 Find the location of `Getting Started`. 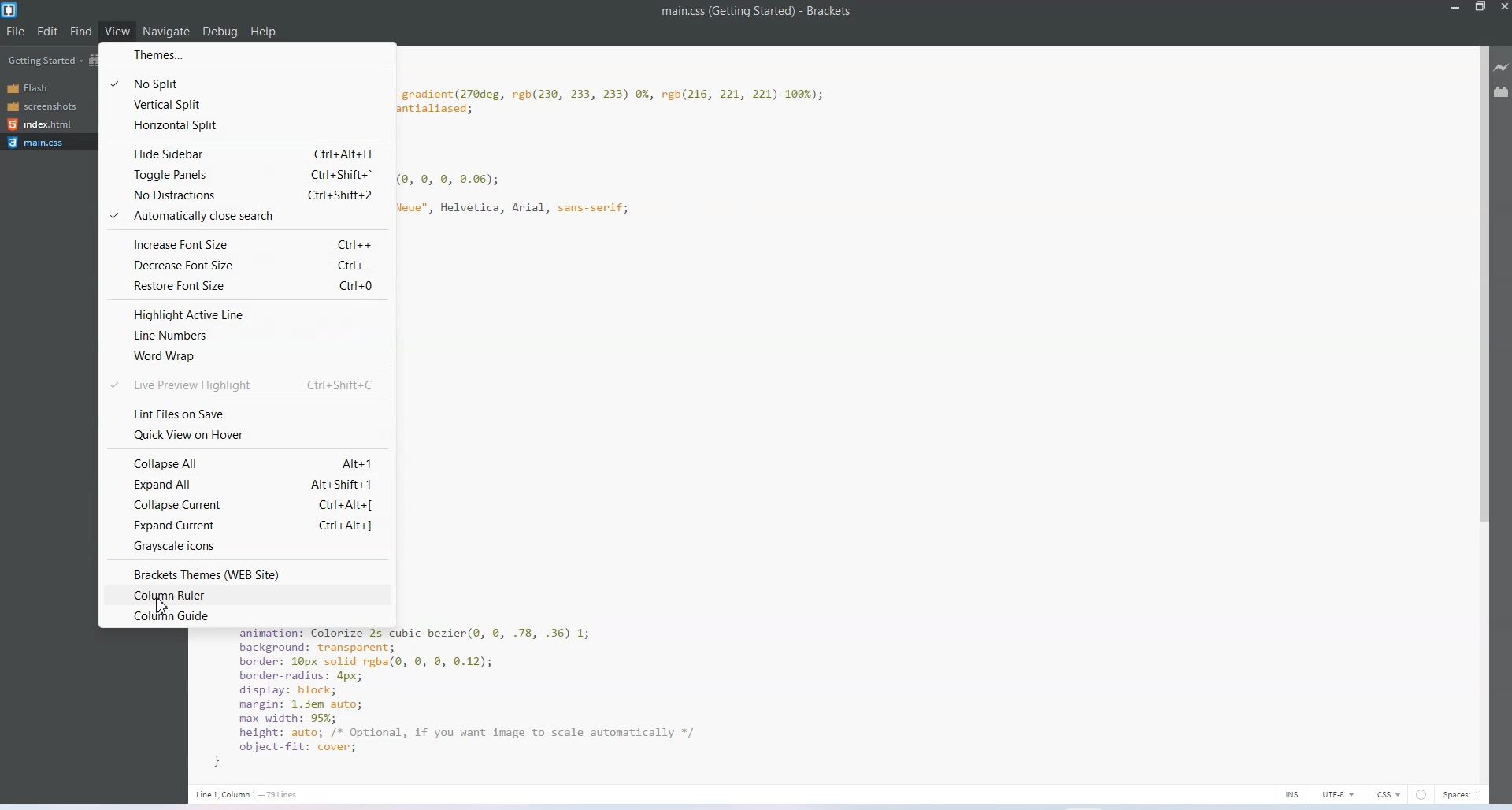

Getting Started is located at coordinates (46, 61).